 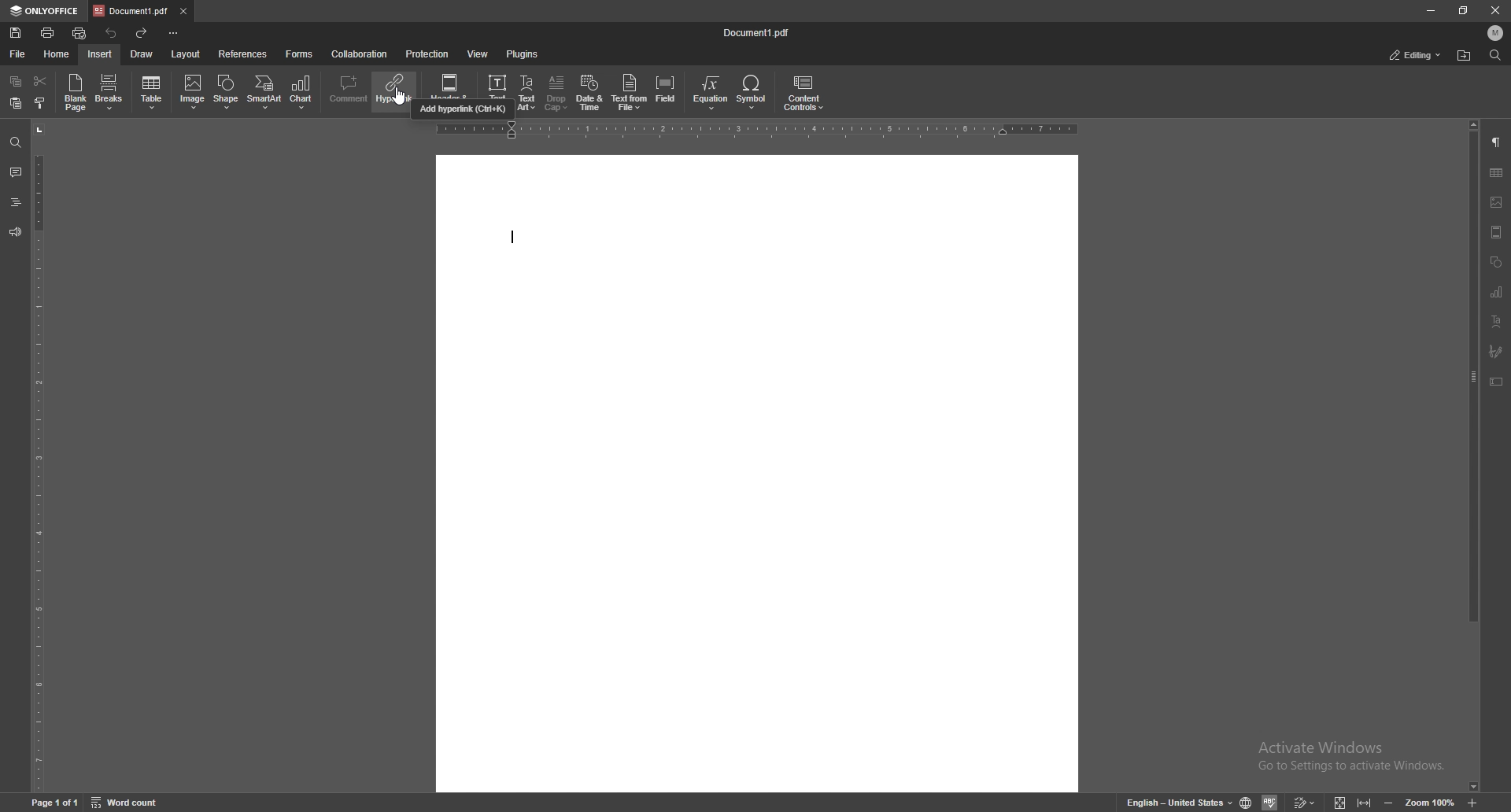 What do you see at coordinates (17, 32) in the screenshot?
I see `save` at bounding box center [17, 32].